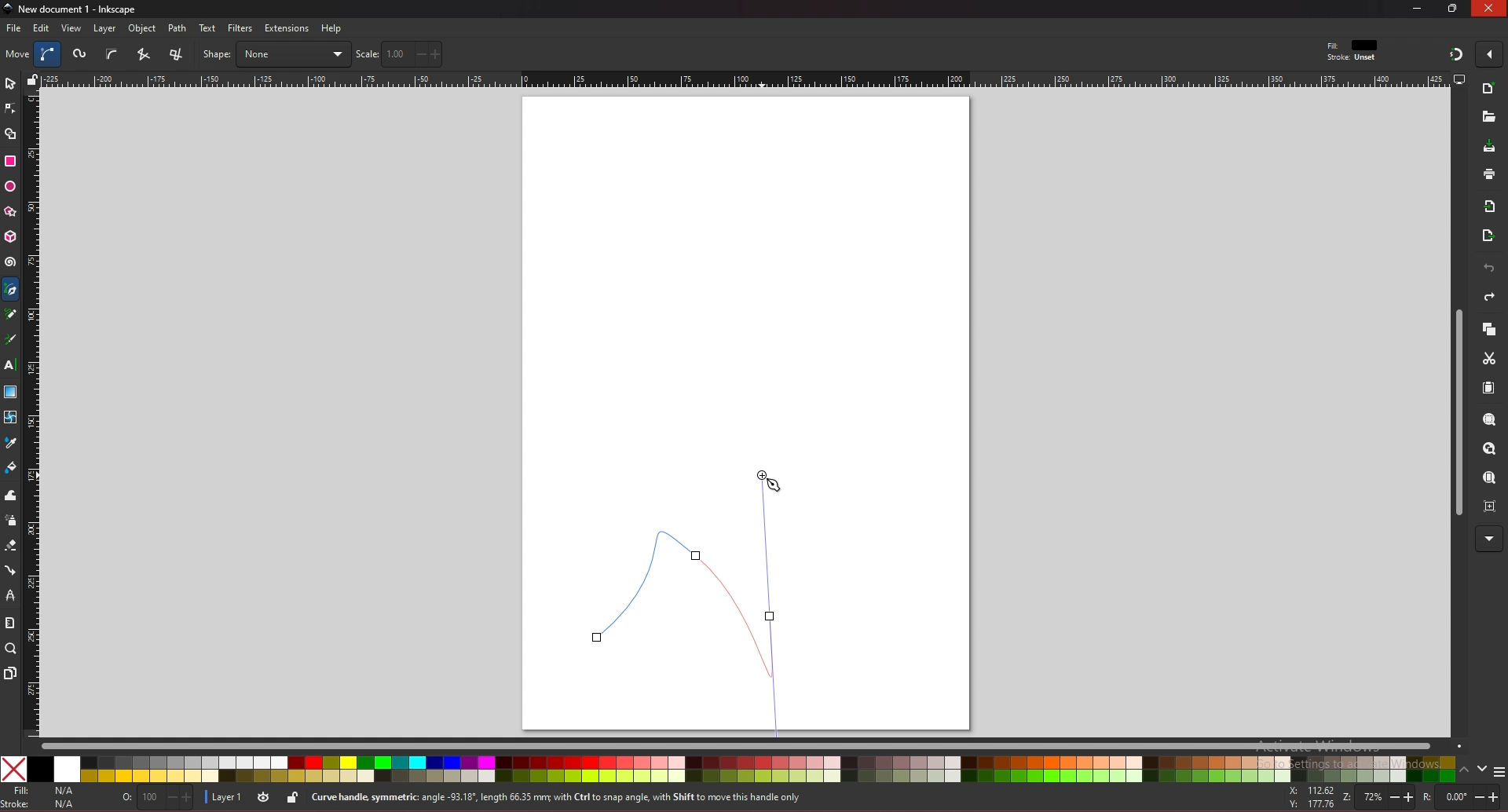  What do you see at coordinates (1499, 773) in the screenshot?
I see `more colors` at bounding box center [1499, 773].